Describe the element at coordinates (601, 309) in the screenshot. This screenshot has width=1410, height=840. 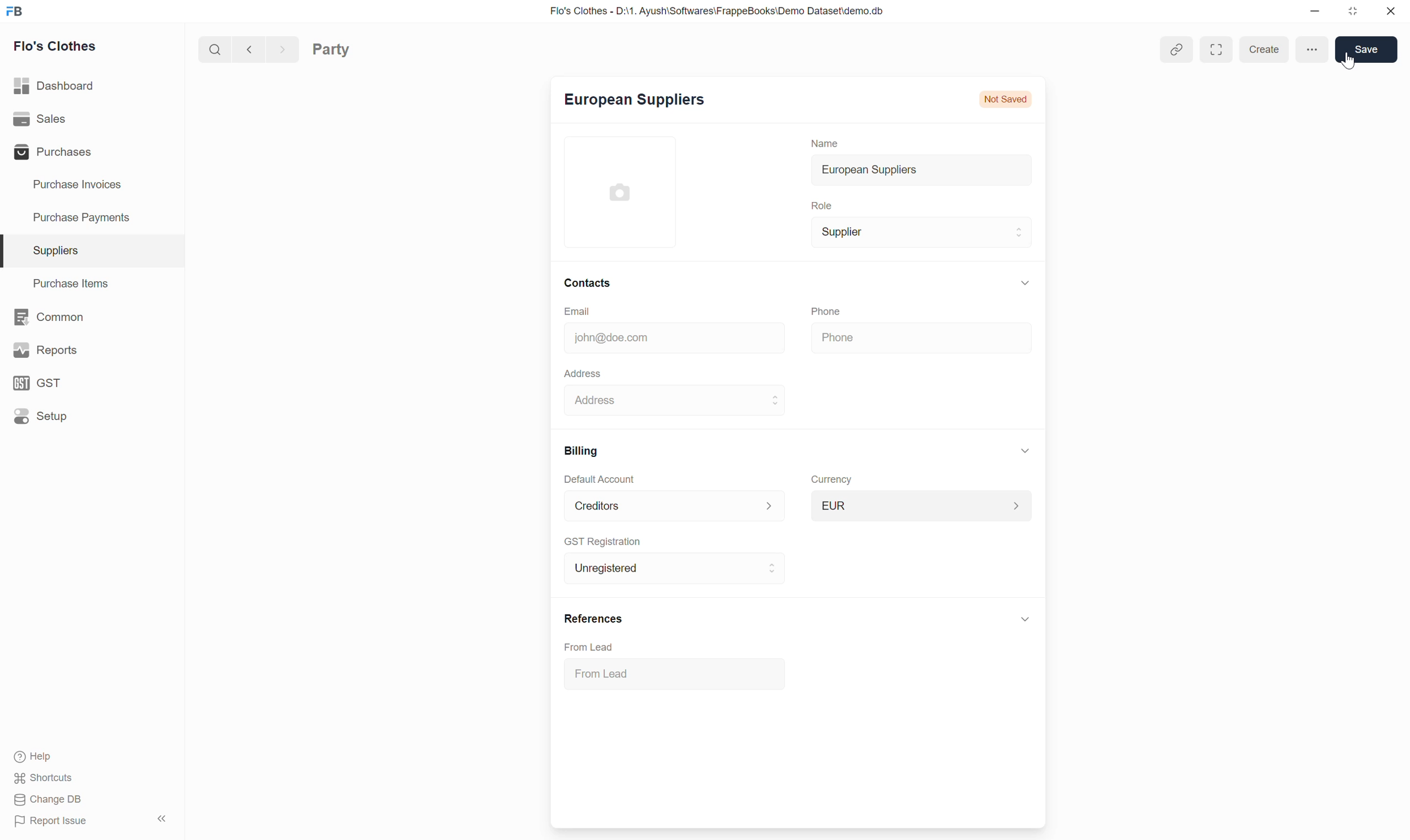
I see `Email` at that location.